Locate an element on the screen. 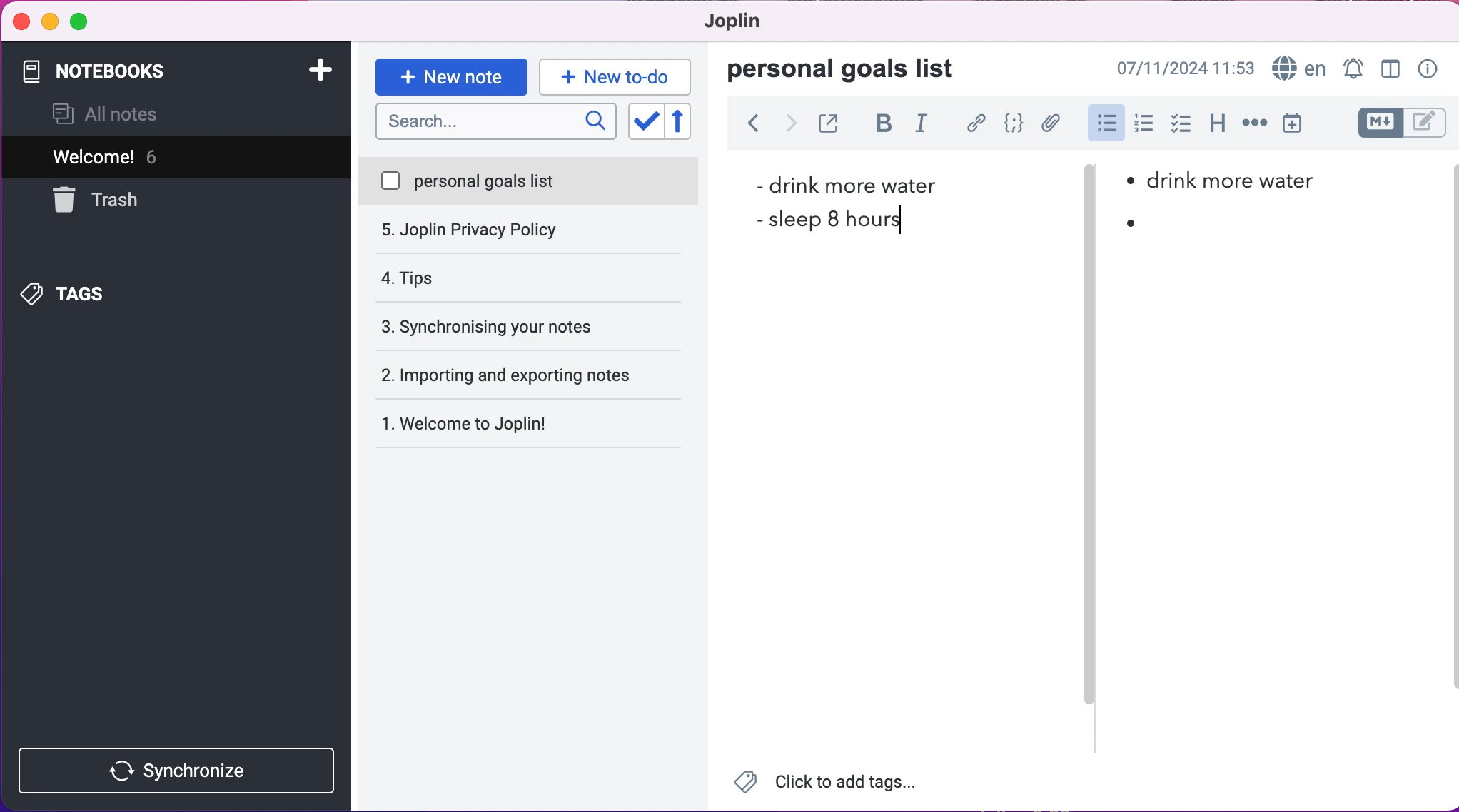 This screenshot has width=1459, height=812. Drink more water is located at coordinates (1232, 178).